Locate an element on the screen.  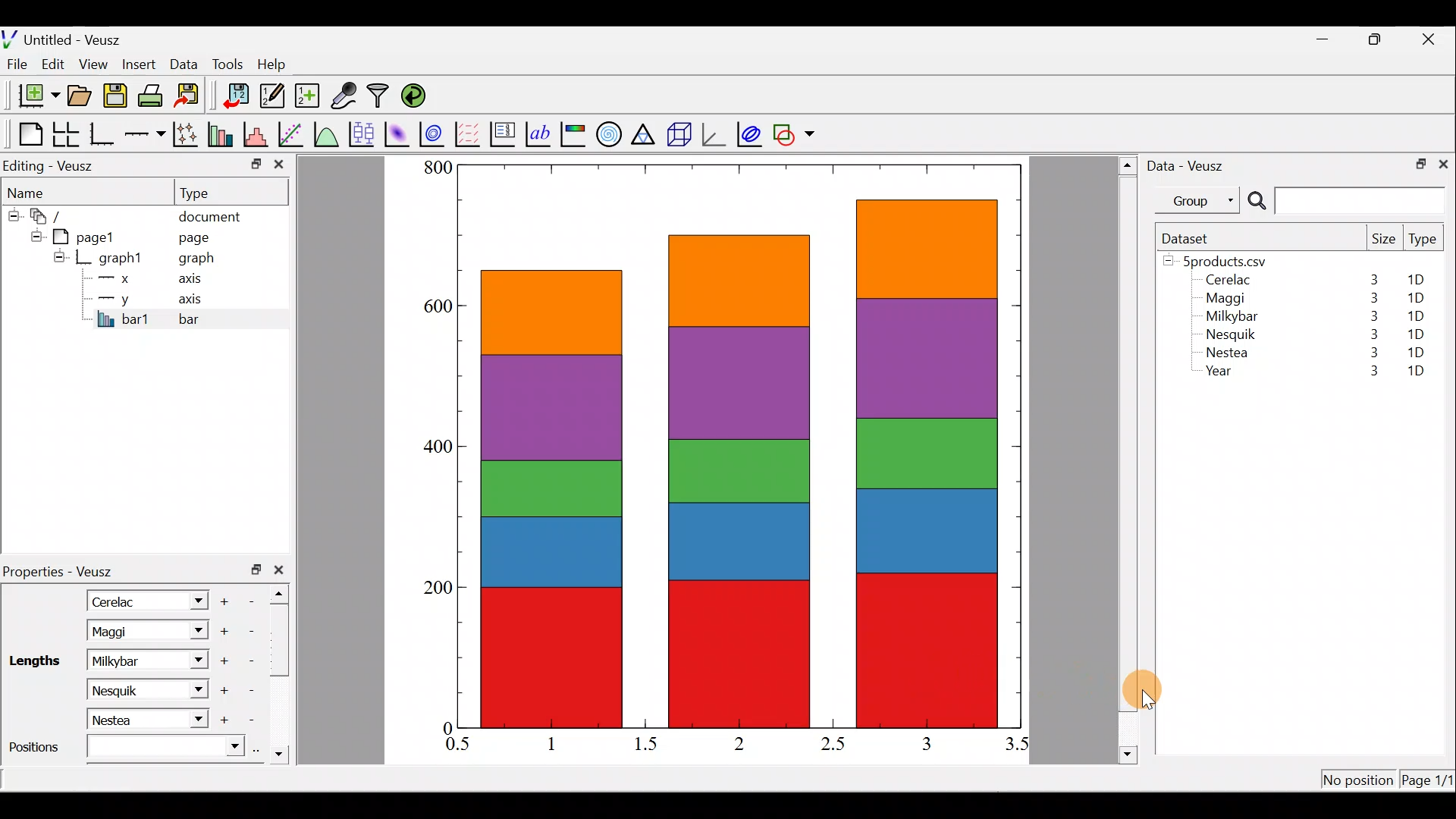
axis is located at coordinates (197, 300).